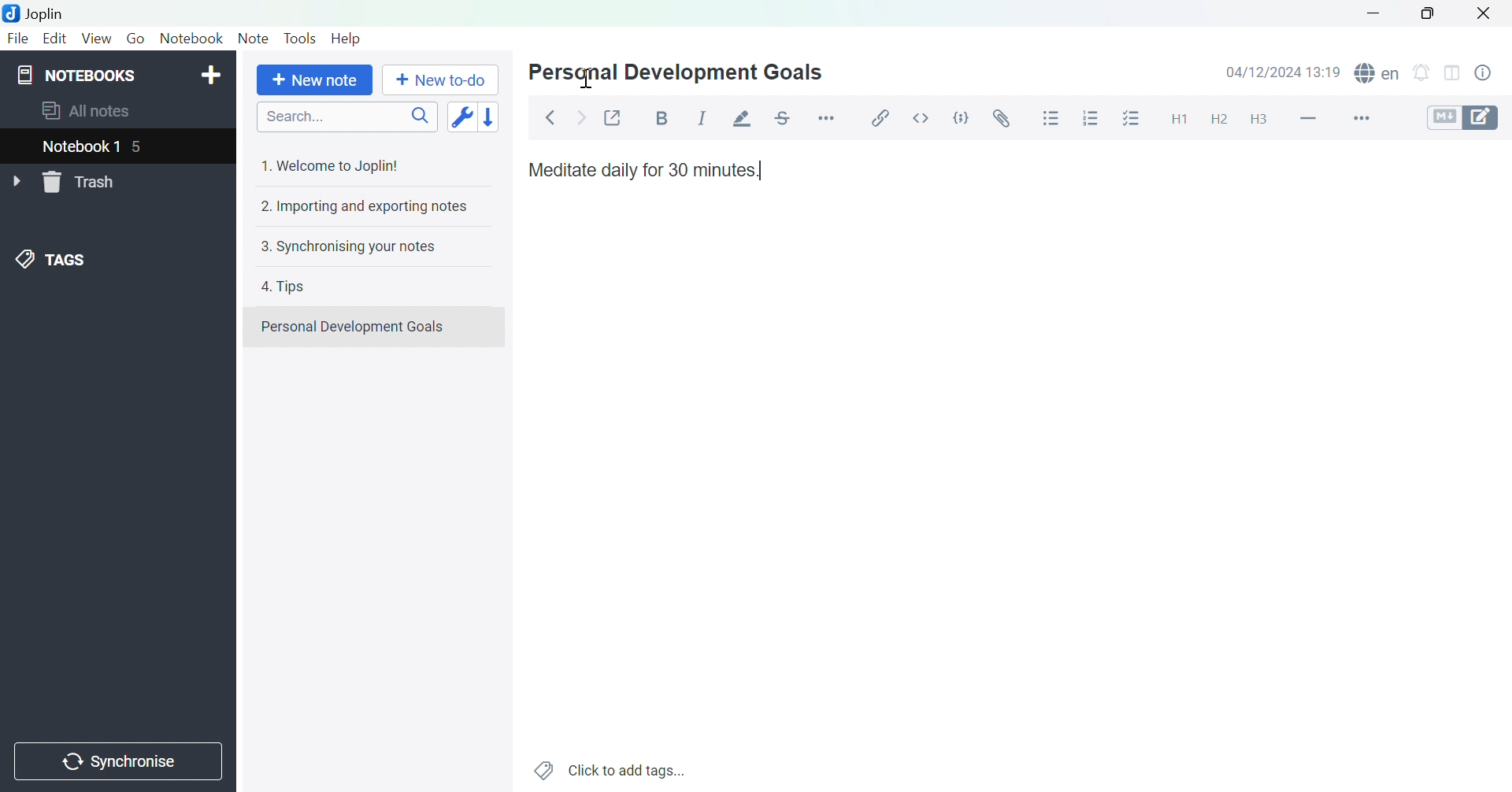 The image size is (1512, 792). What do you see at coordinates (1425, 76) in the screenshot?
I see `set alarm` at bounding box center [1425, 76].